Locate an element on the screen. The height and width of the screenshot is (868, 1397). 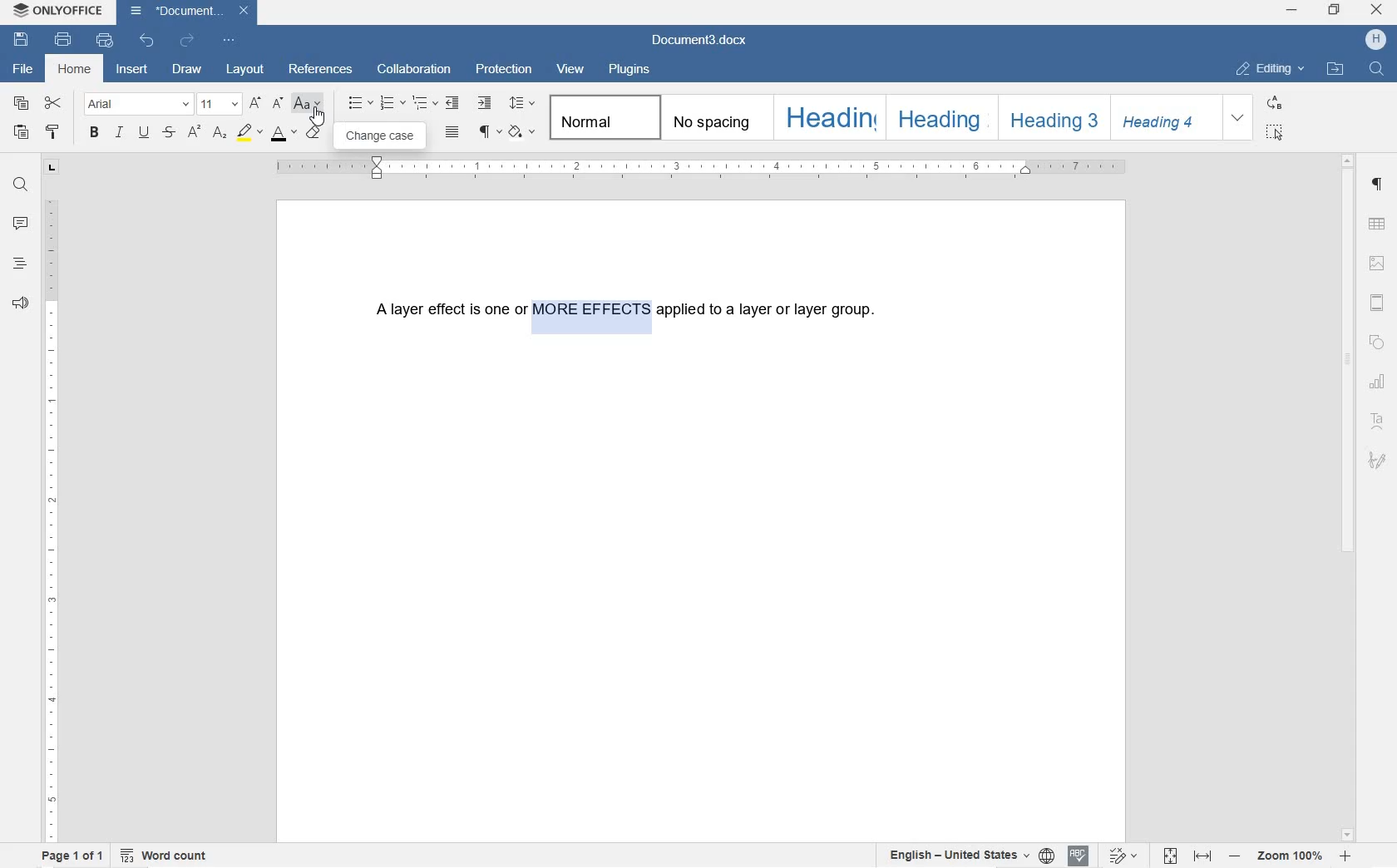
TABLE is located at coordinates (1378, 225).